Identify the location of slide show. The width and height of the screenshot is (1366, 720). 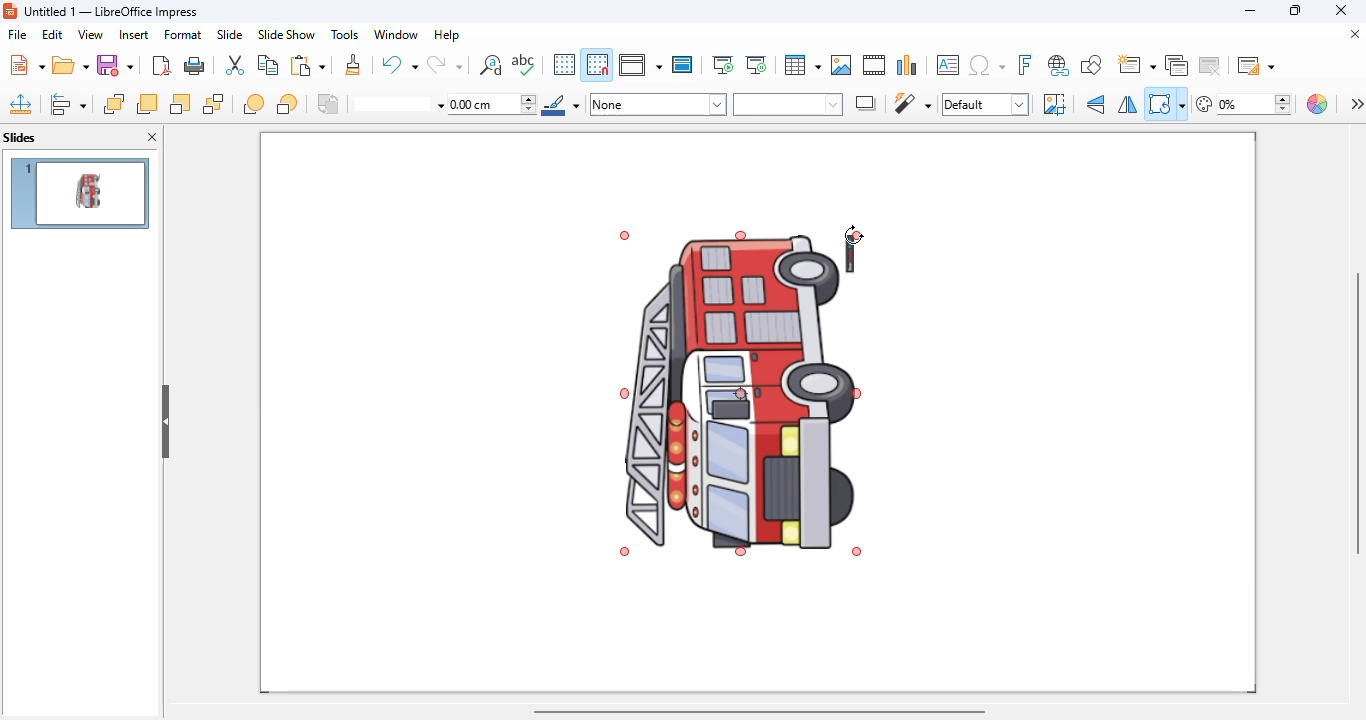
(286, 34).